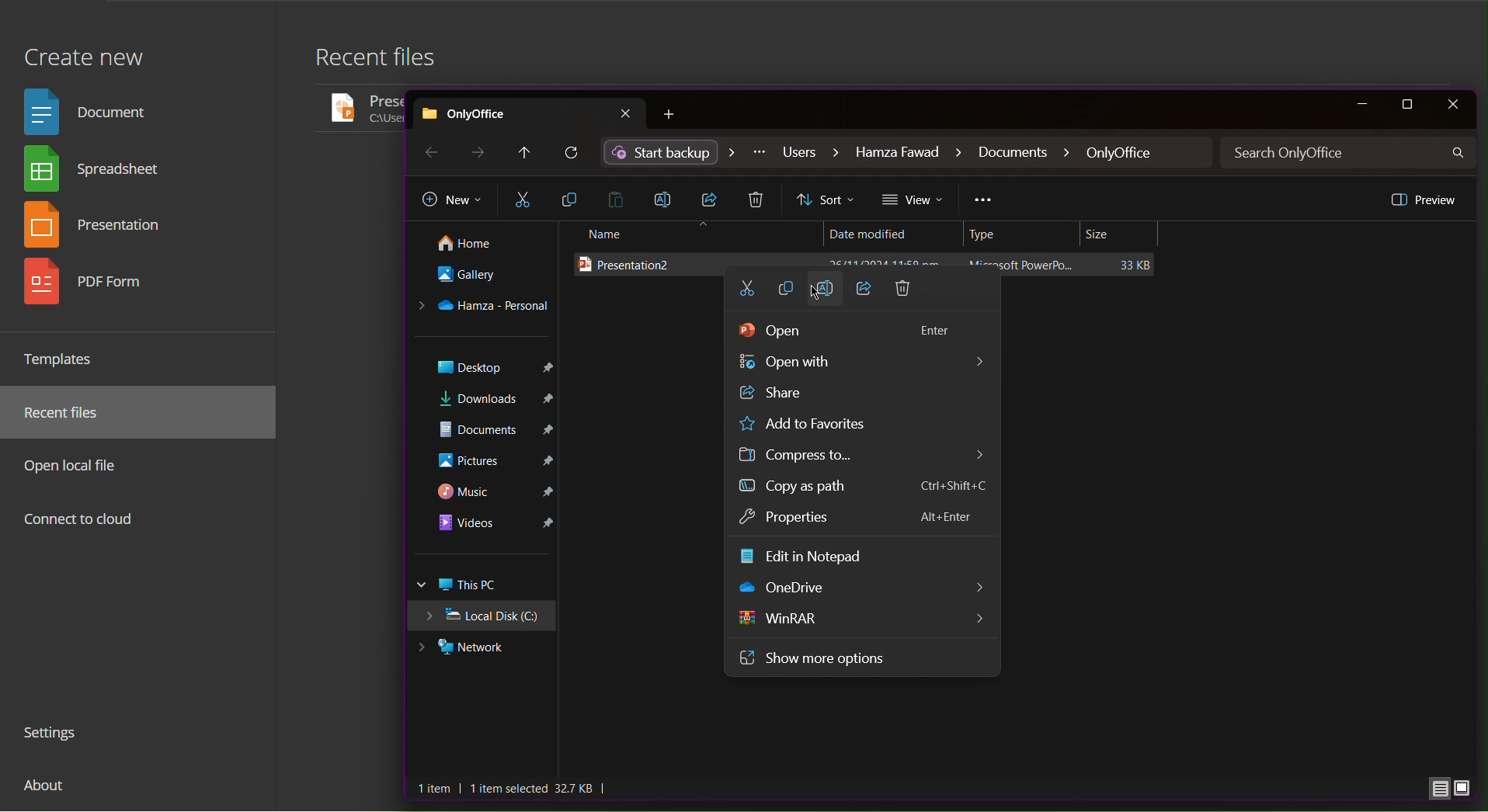 This screenshot has height=812, width=1488. What do you see at coordinates (480, 279) in the screenshot?
I see `Gallery` at bounding box center [480, 279].